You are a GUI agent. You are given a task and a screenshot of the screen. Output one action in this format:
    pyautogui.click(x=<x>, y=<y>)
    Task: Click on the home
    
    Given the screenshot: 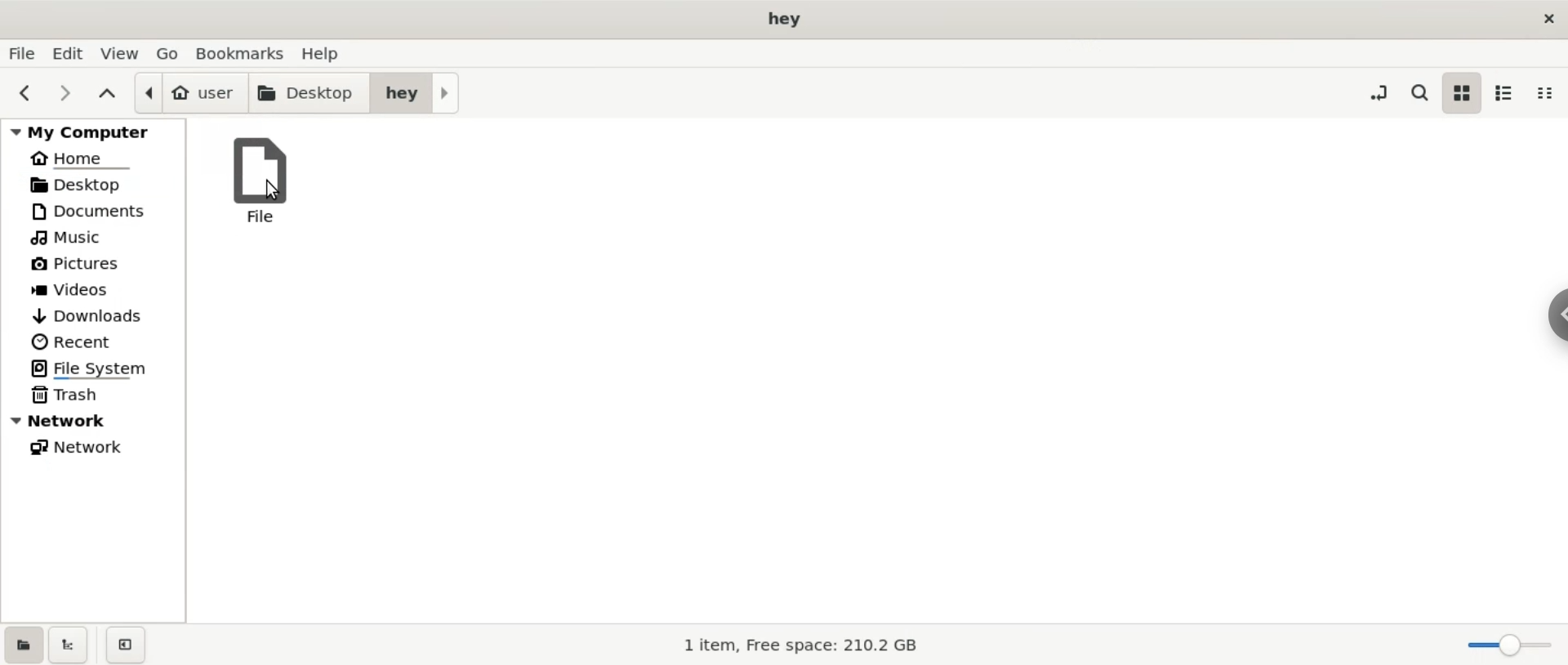 What is the action you would take?
    pyautogui.click(x=93, y=159)
    